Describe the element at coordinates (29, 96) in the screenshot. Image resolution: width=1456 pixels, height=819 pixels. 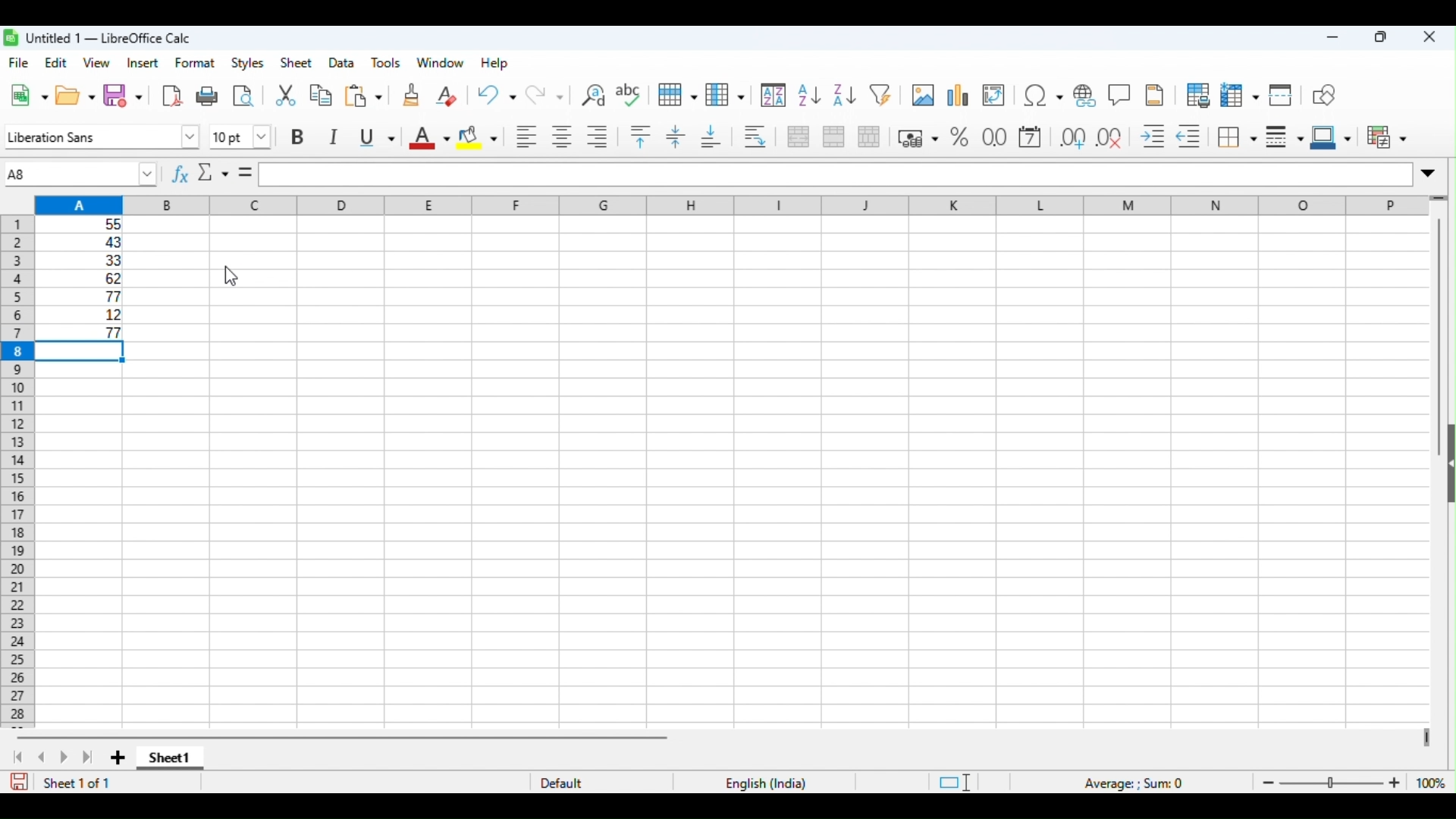
I see `new` at that location.